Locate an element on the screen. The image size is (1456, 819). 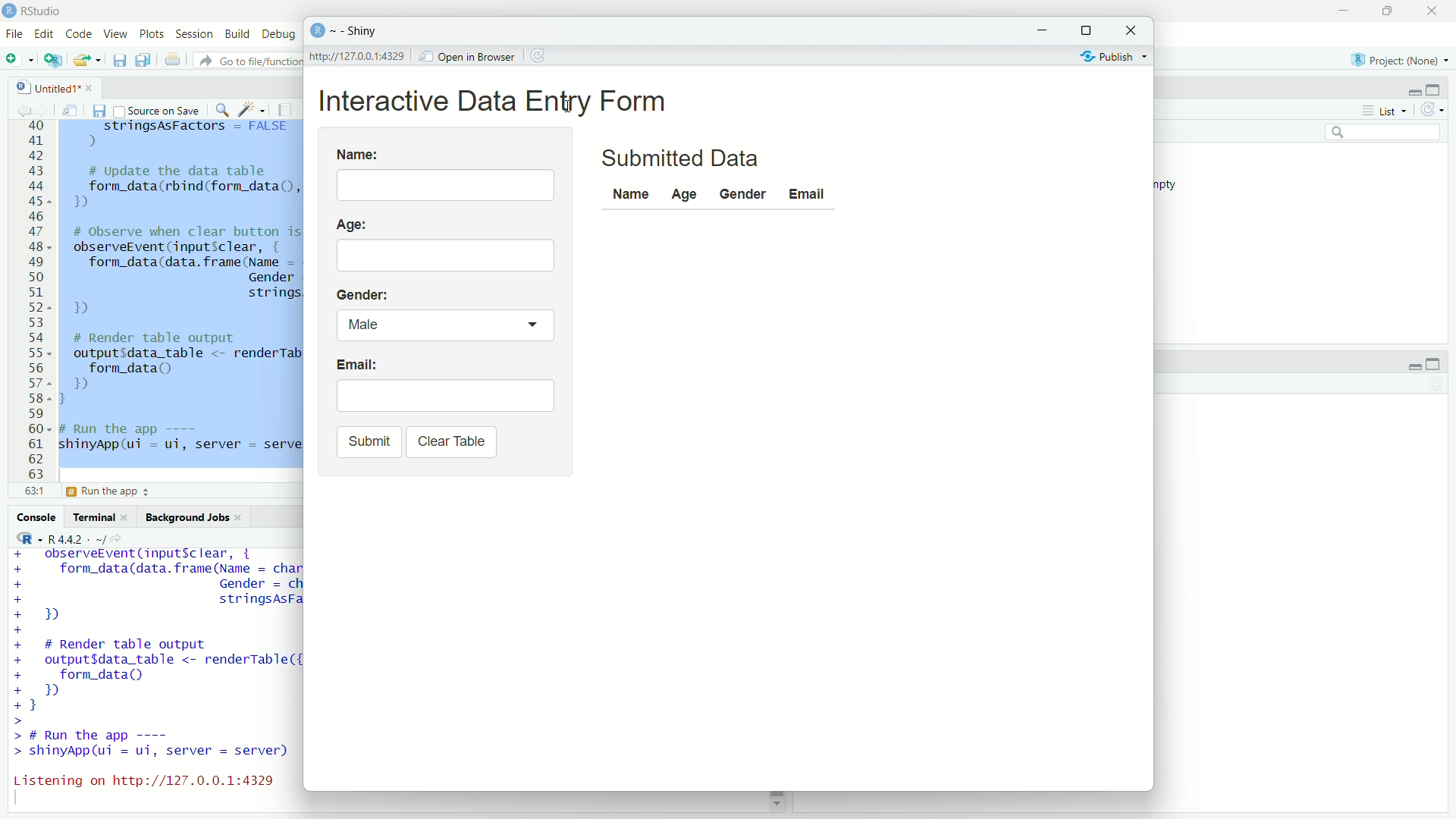
source on save is located at coordinates (156, 109).